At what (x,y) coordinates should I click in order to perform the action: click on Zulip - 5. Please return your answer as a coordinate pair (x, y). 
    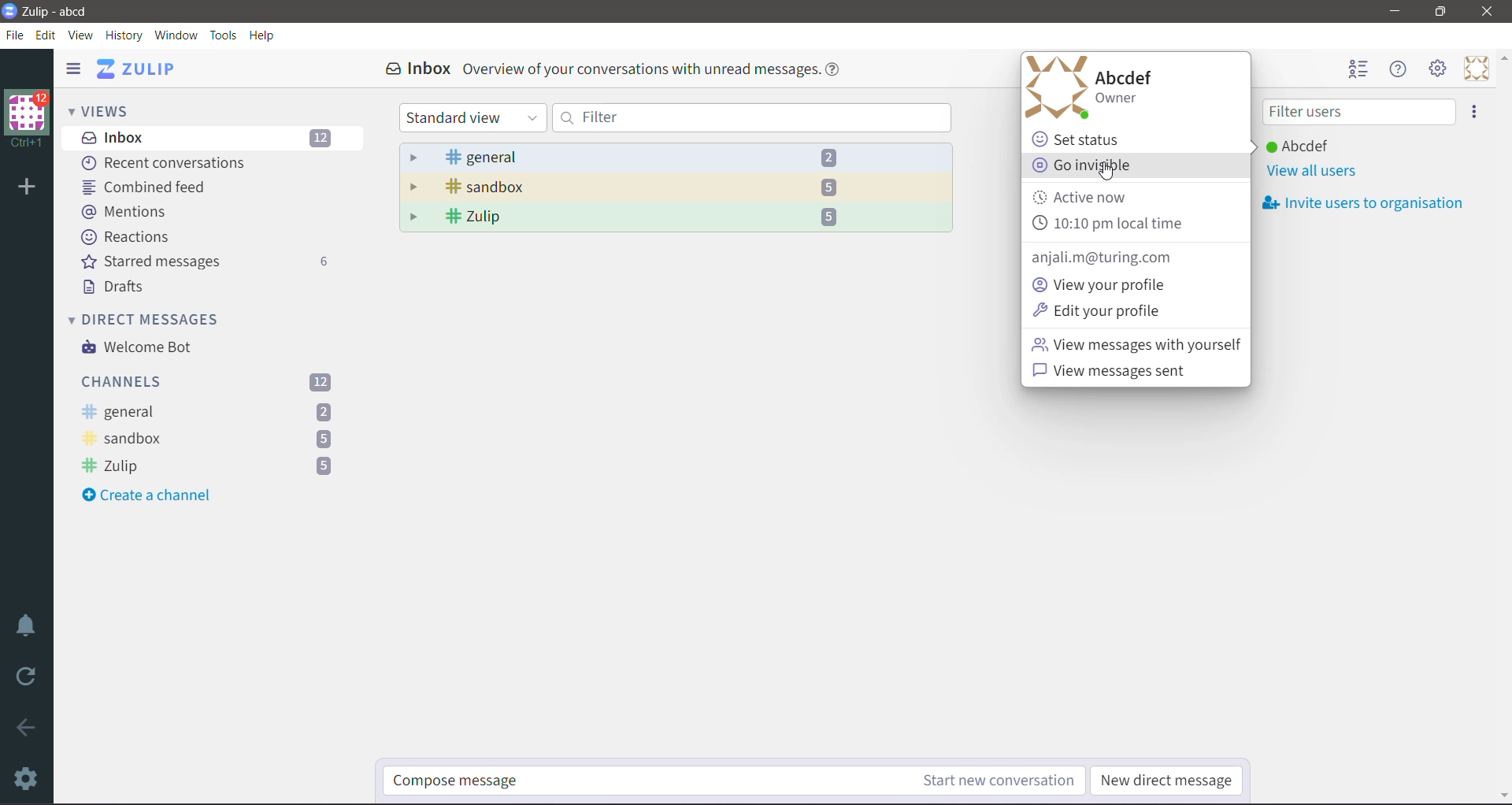
    Looking at the image, I should click on (677, 218).